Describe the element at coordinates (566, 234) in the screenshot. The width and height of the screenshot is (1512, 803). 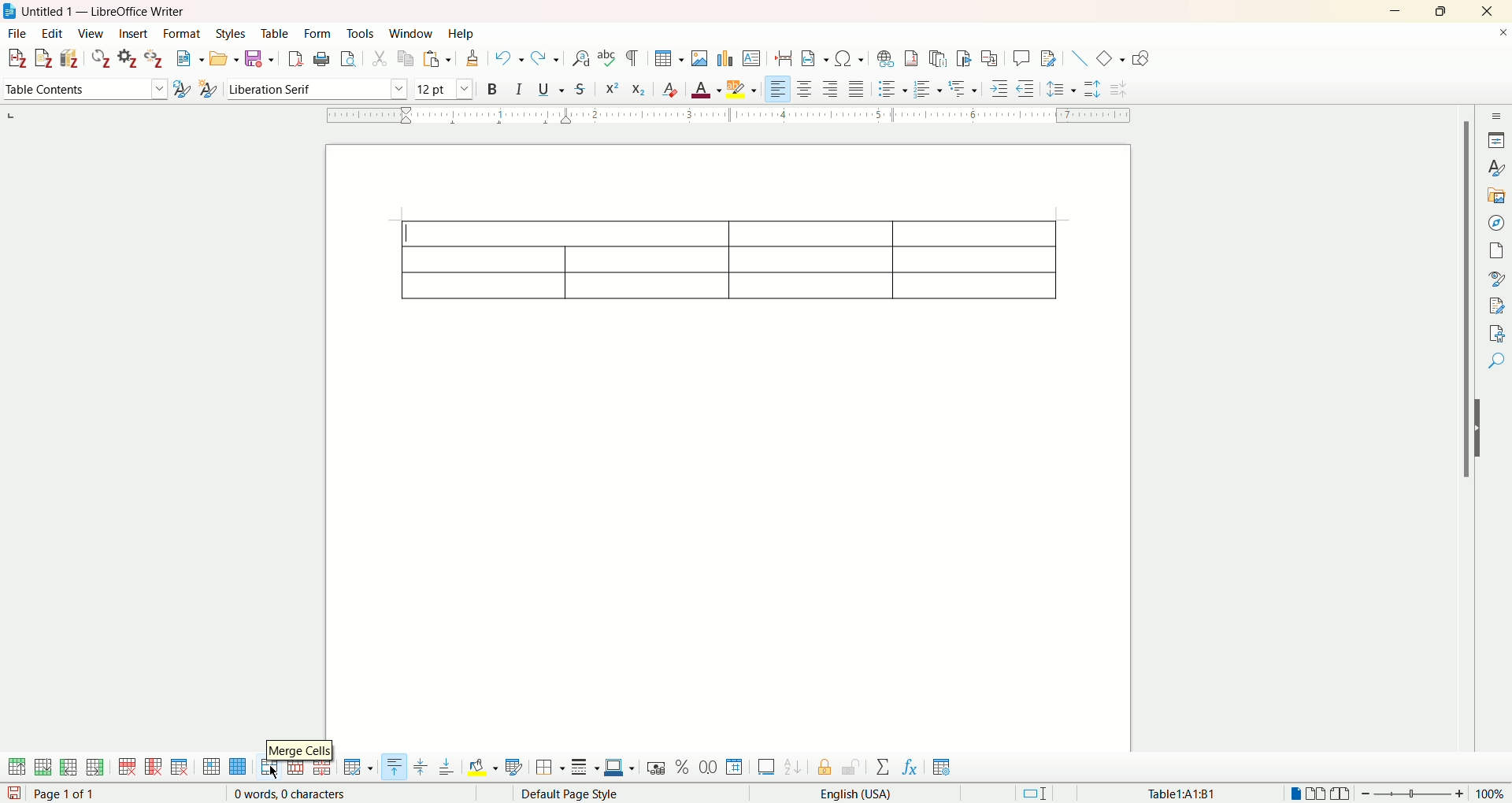
I see `selected cells` at that location.